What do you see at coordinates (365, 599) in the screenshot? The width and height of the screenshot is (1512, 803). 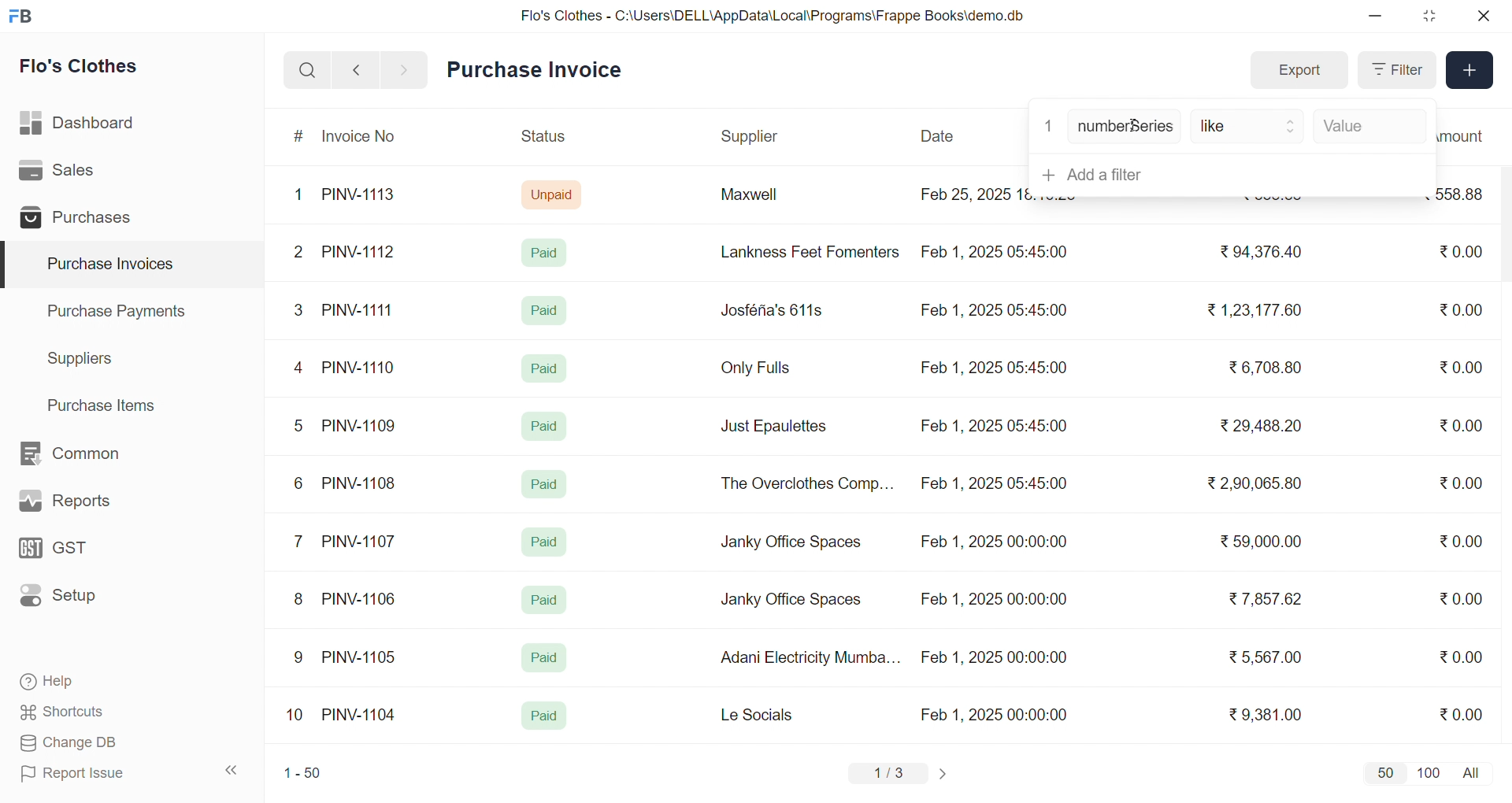 I see `PINV-1106` at bounding box center [365, 599].